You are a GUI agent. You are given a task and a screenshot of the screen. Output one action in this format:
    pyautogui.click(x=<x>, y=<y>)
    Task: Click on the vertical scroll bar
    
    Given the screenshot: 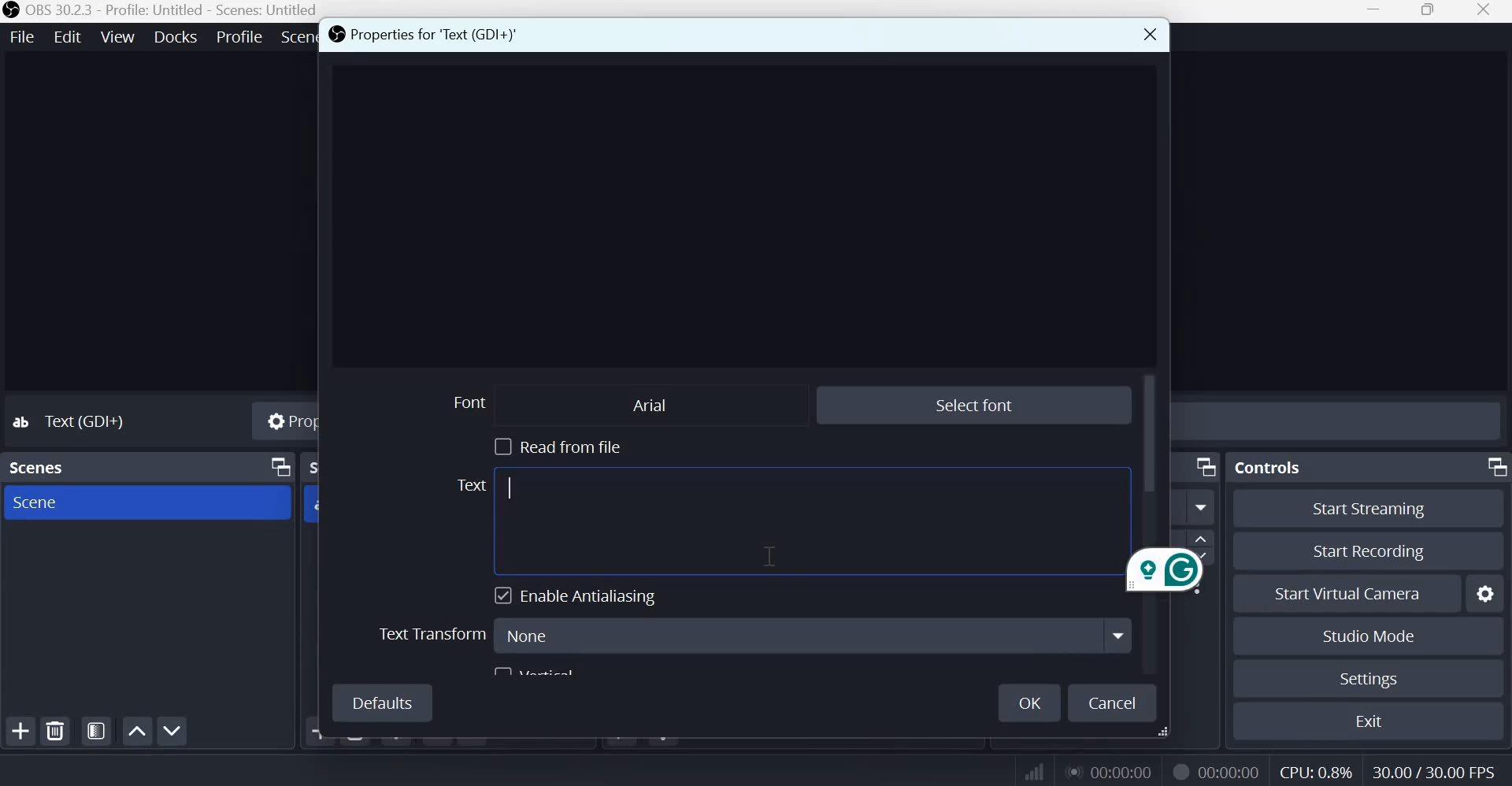 What is the action you would take?
    pyautogui.click(x=1155, y=436)
    